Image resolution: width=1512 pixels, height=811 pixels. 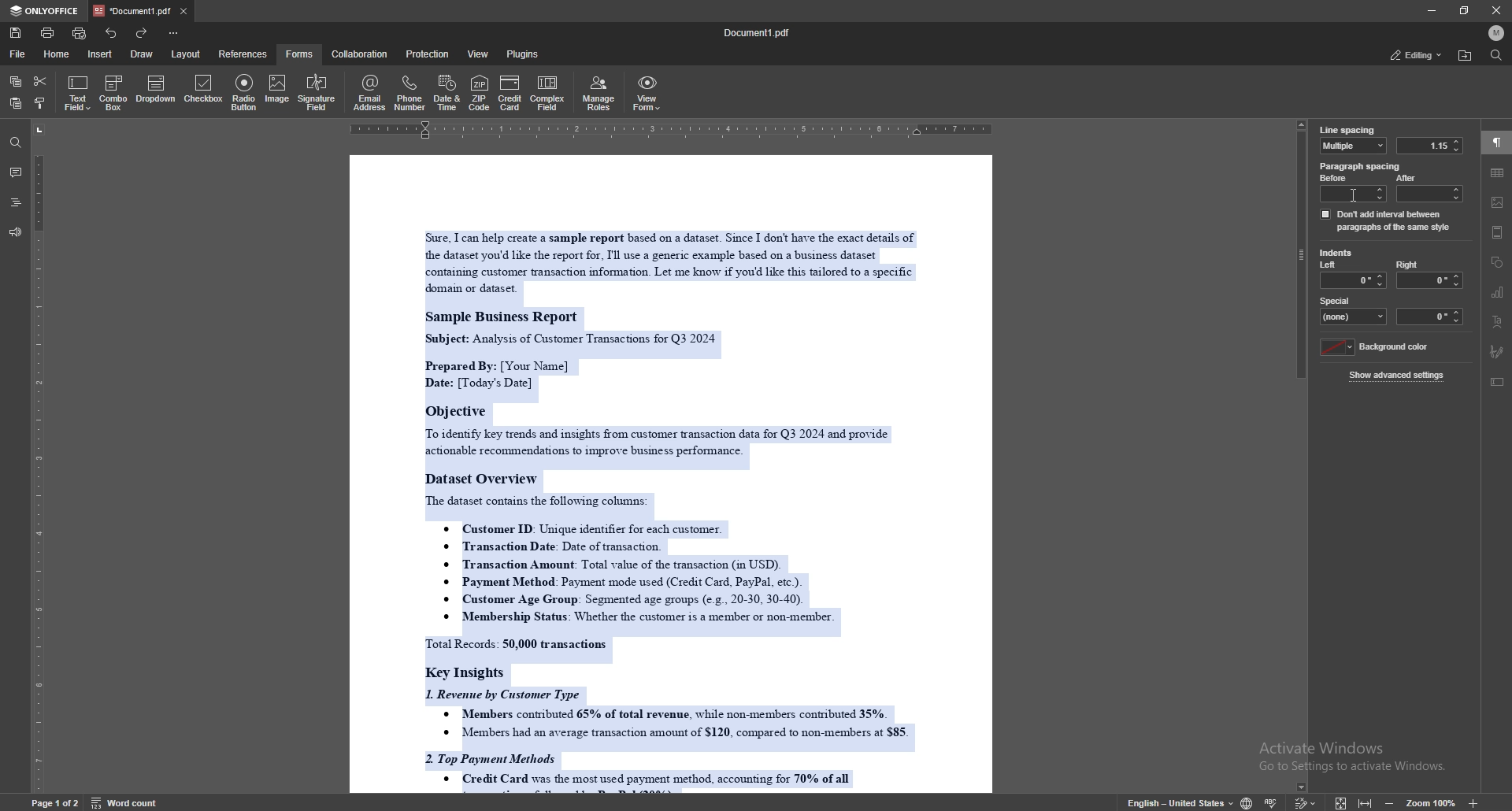 I want to click on onlyoffice, so click(x=47, y=11).